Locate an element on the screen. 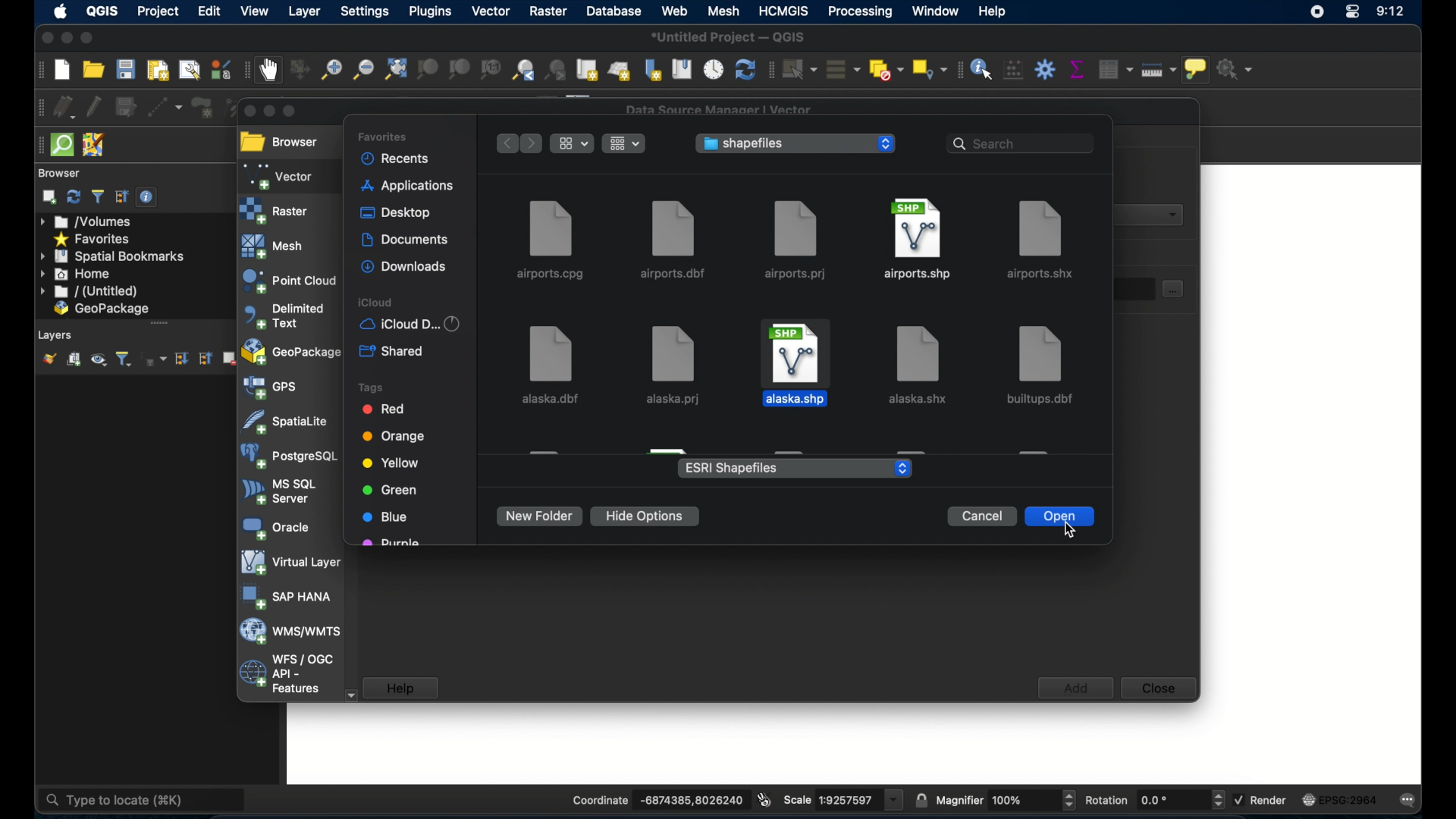 The height and width of the screenshot is (819, 1456). type to locate is located at coordinates (106, 799).